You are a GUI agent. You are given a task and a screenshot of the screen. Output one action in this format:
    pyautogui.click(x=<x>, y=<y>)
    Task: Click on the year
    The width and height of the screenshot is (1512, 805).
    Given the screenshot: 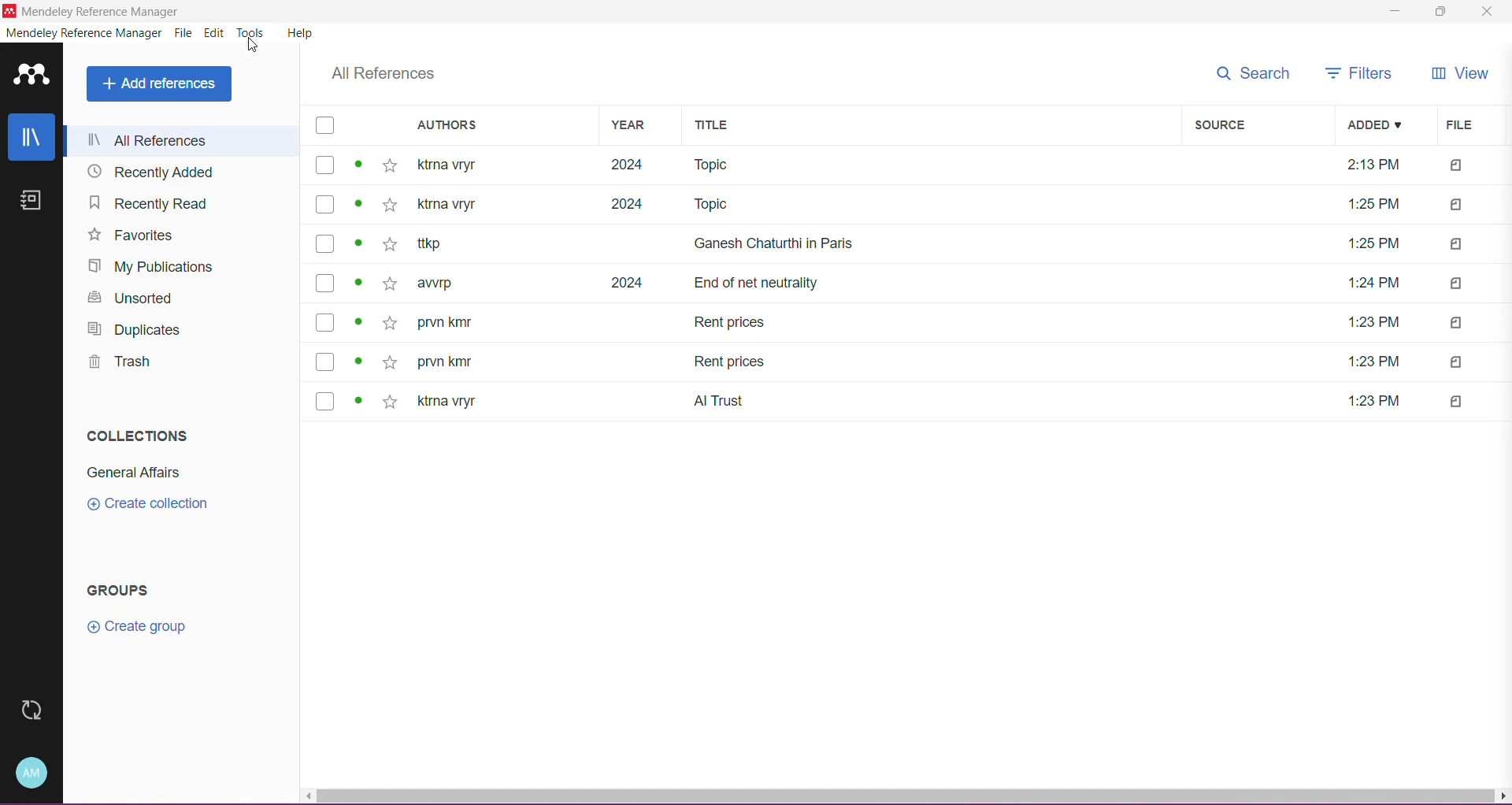 What is the action you would take?
    pyautogui.click(x=625, y=282)
    